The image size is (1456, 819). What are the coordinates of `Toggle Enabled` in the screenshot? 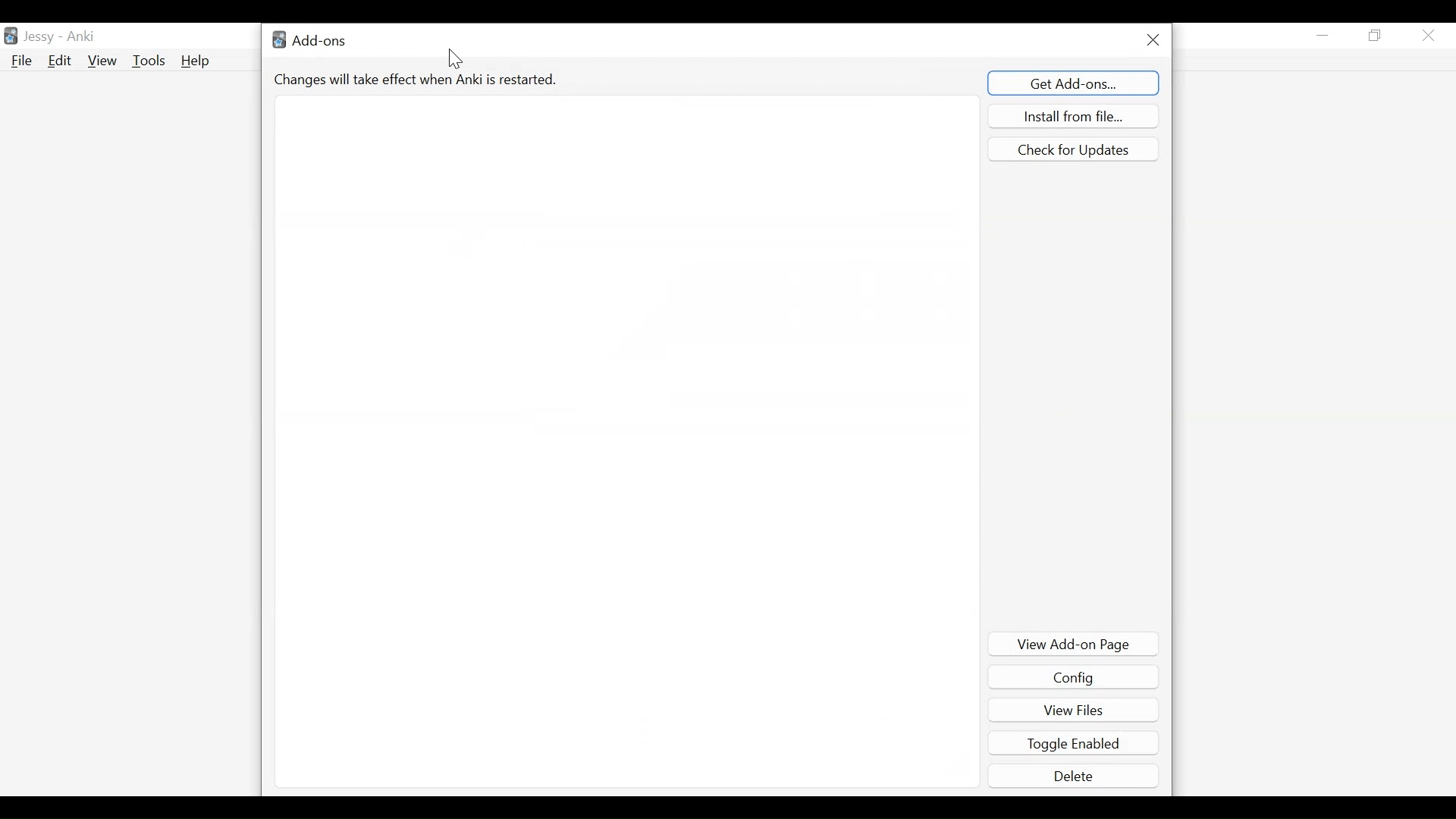 It's located at (1075, 743).